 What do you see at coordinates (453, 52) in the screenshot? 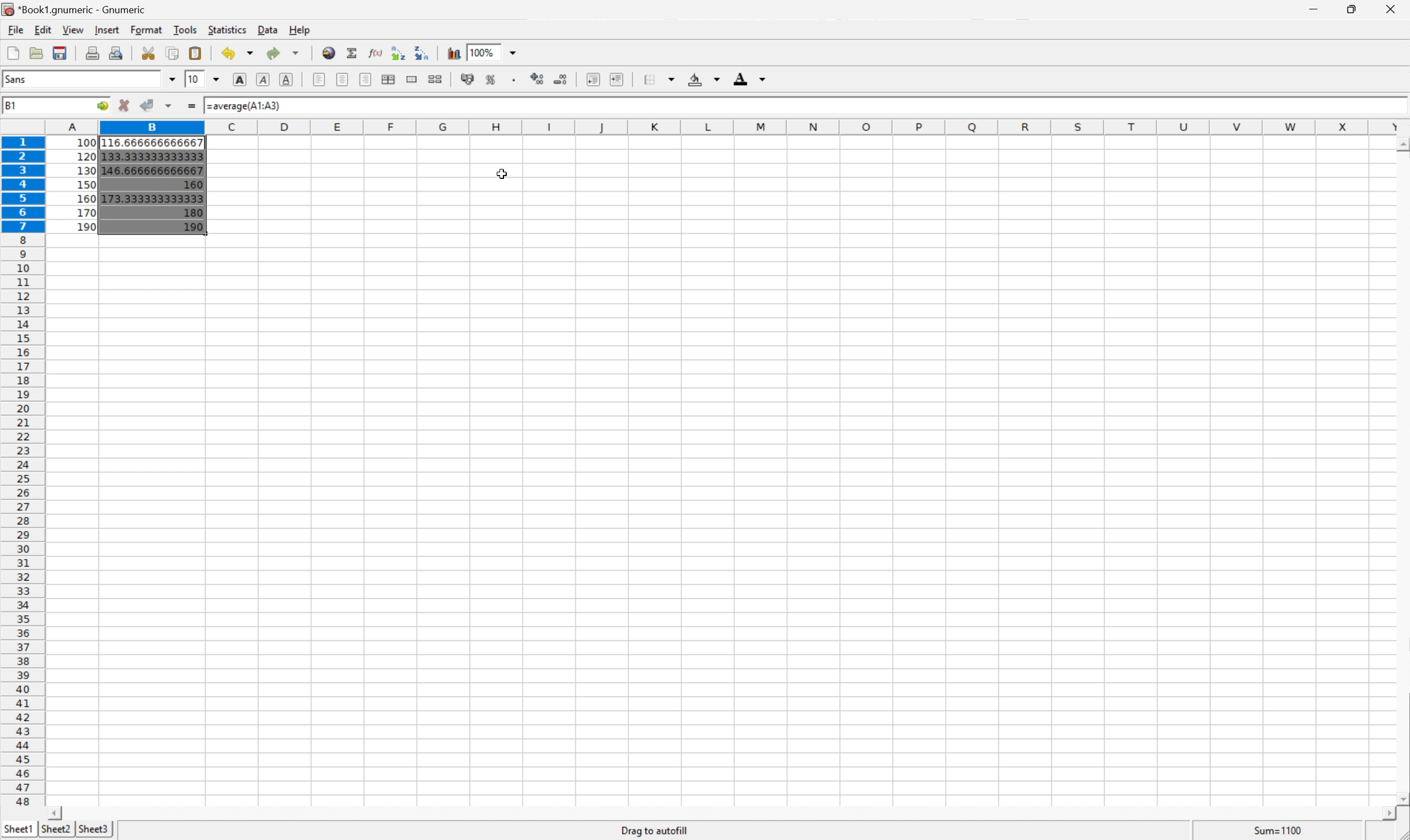
I see `Insert a chart` at bounding box center [453, 52].